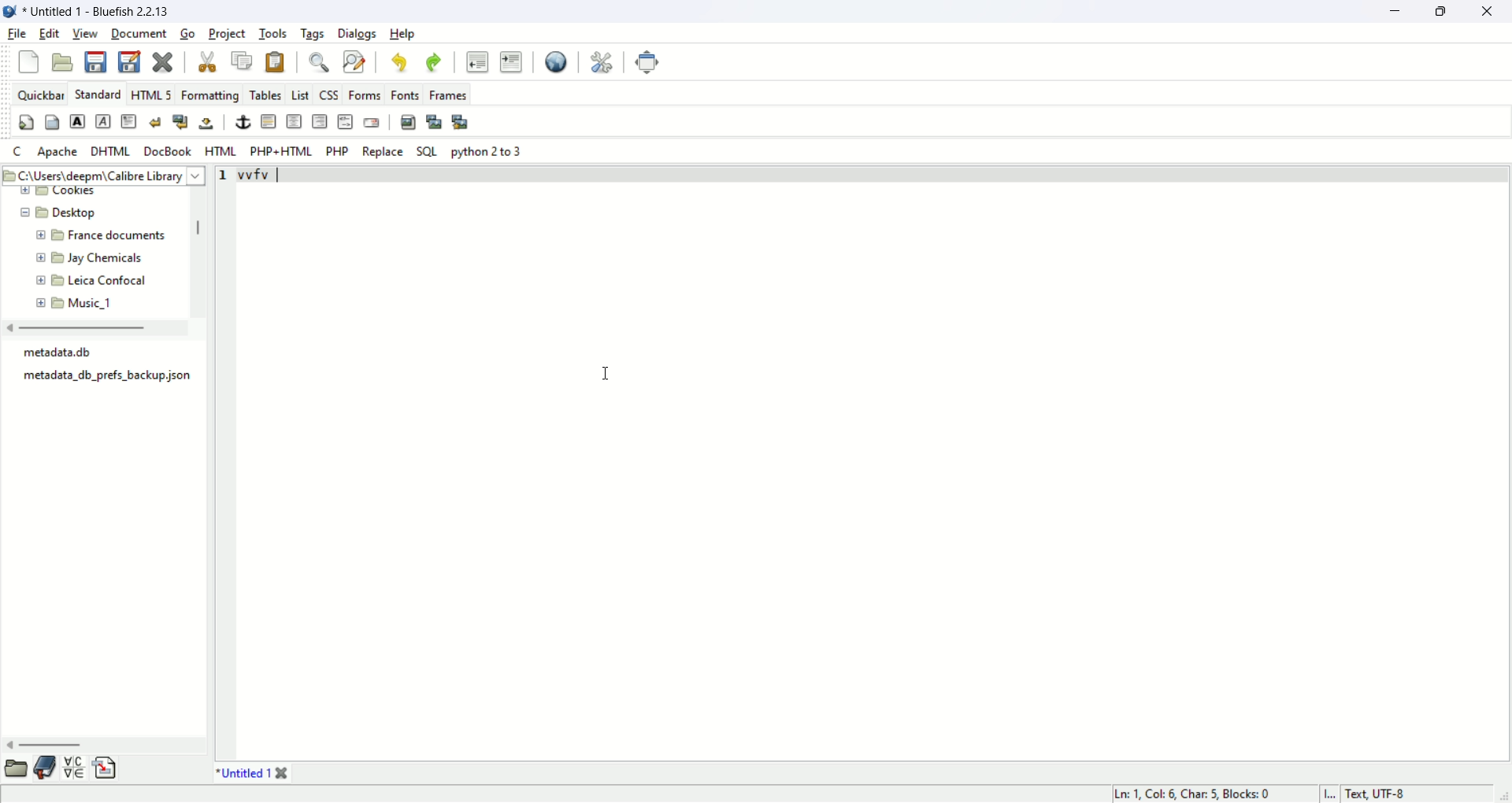 This screenshot has width=1512, height=803. I want to click on Horizontal rule, so click(270, 120).